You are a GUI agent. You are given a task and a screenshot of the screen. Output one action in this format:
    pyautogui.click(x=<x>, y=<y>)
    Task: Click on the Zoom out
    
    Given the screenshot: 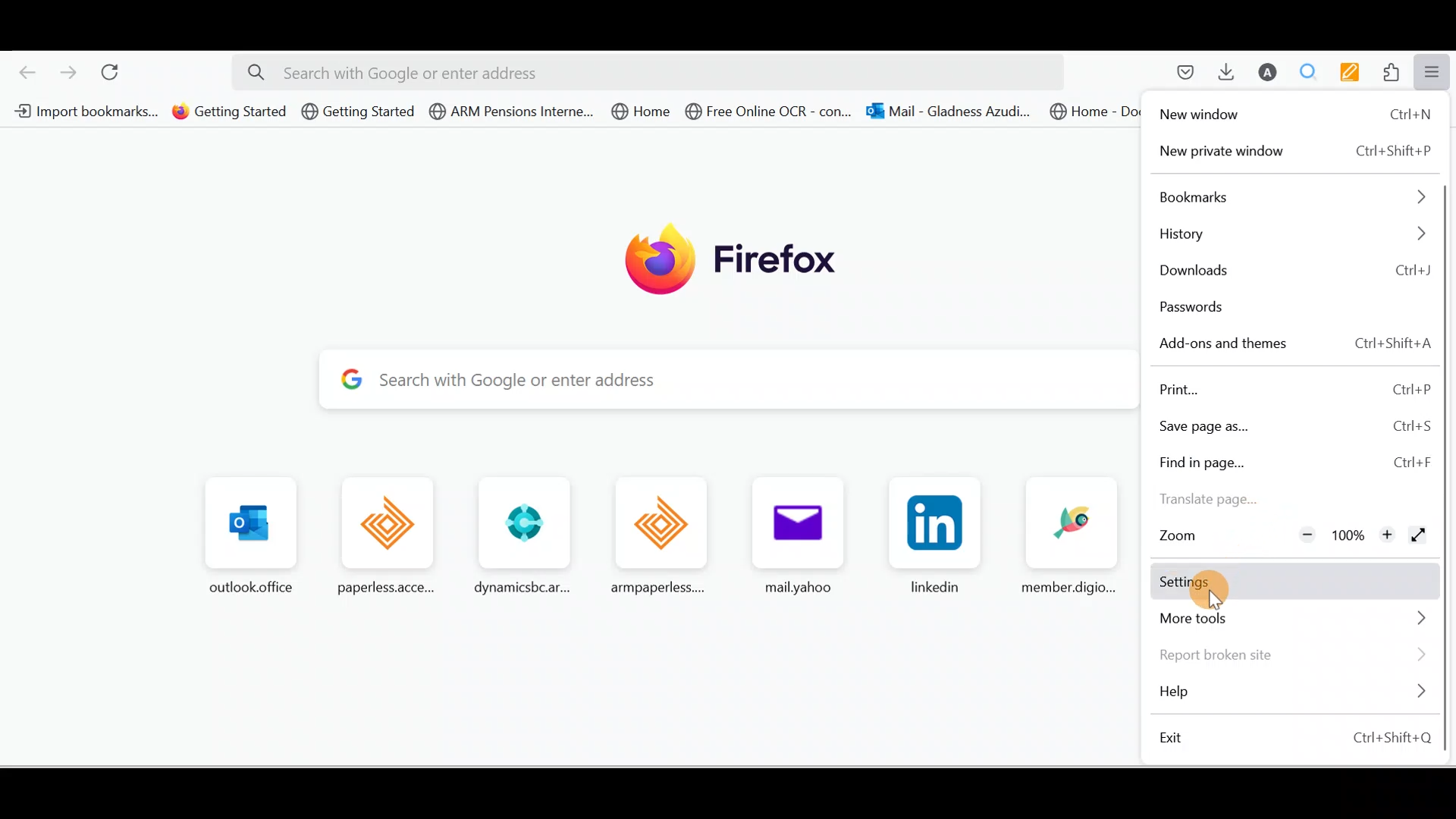 What is the action you would take?
    pyautogui.click(x=1299, y=533)
    